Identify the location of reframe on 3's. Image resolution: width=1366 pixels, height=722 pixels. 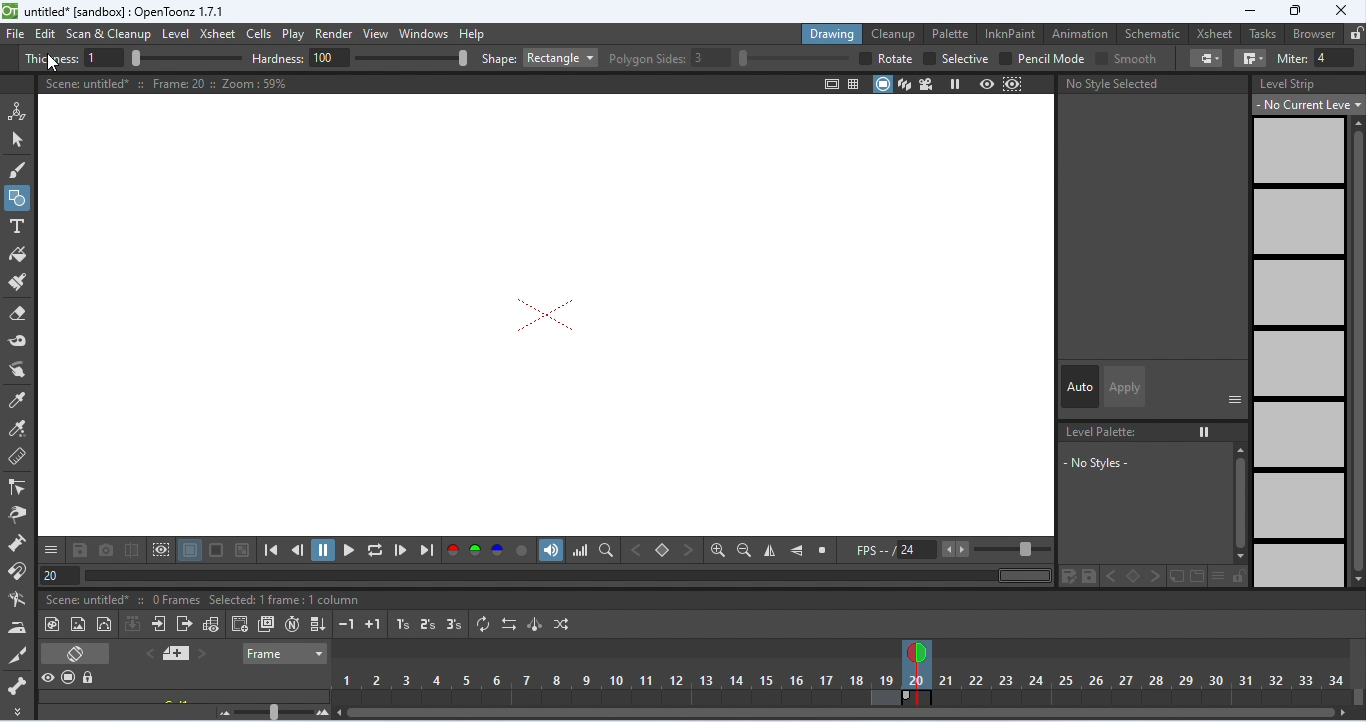
(454, 624).